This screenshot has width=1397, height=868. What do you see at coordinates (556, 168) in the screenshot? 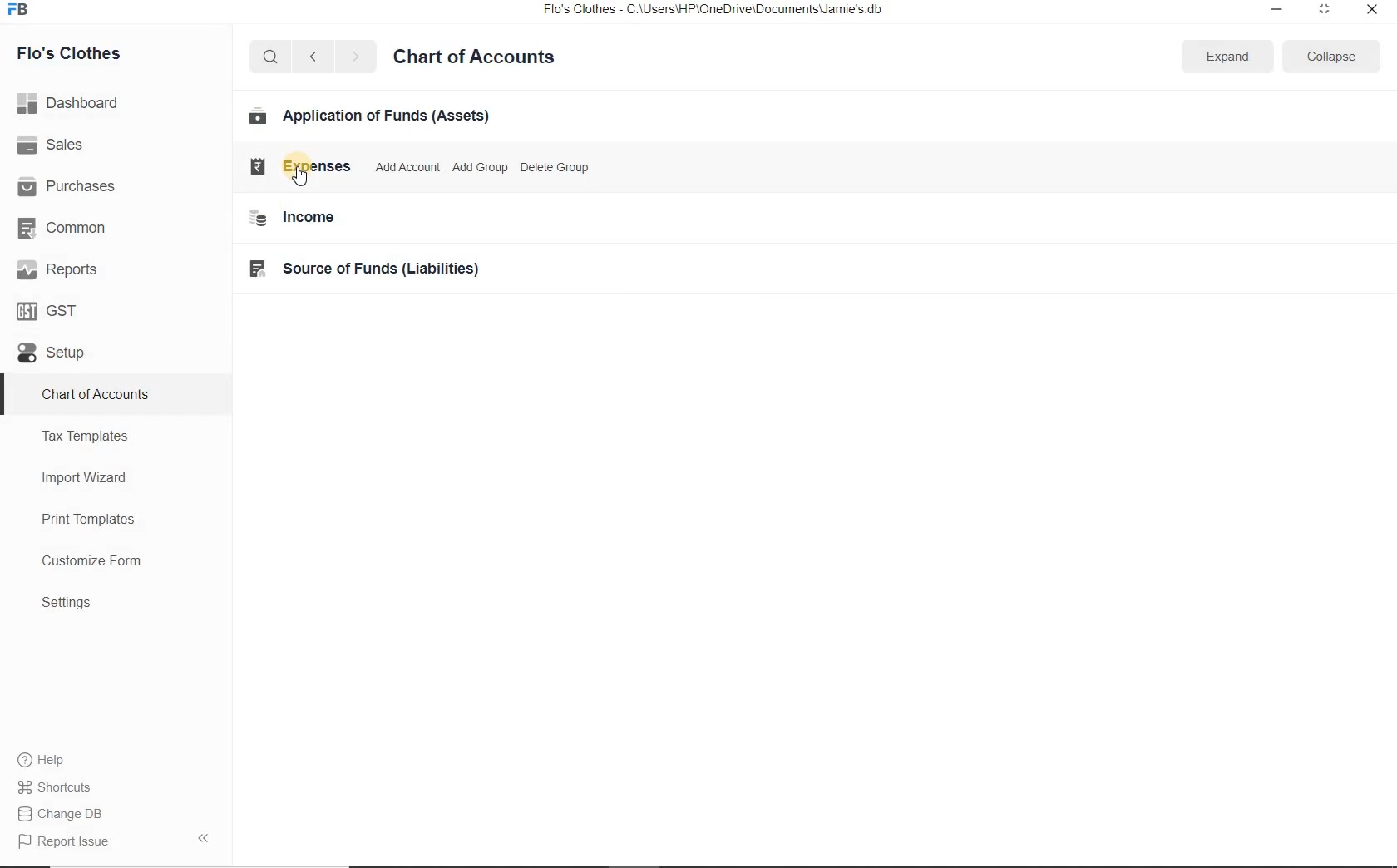
I see `Delete Group` at bounding box center [556, 168].